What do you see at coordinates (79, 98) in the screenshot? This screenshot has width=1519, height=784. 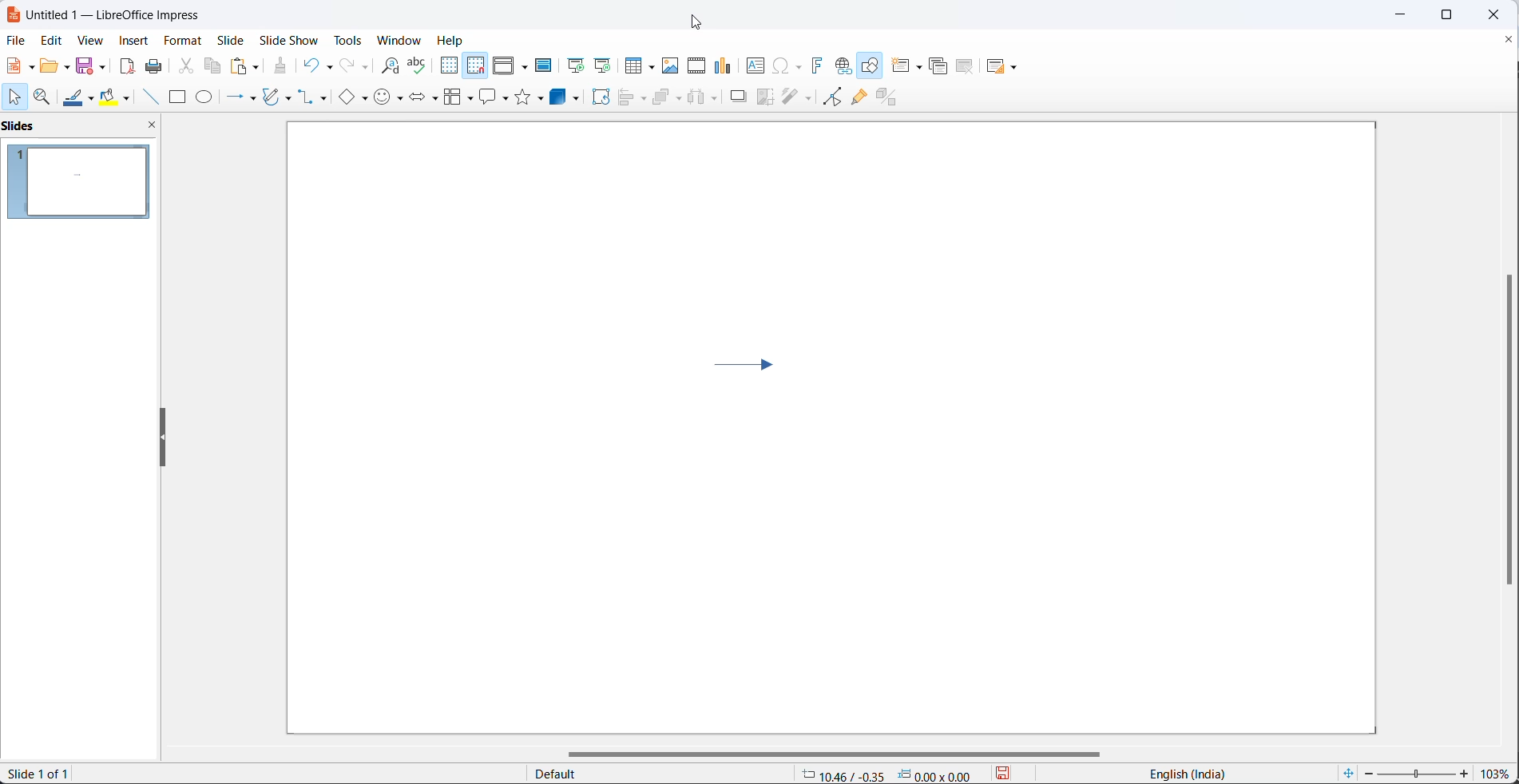 I see `line color` at bounding box center [79, 98].